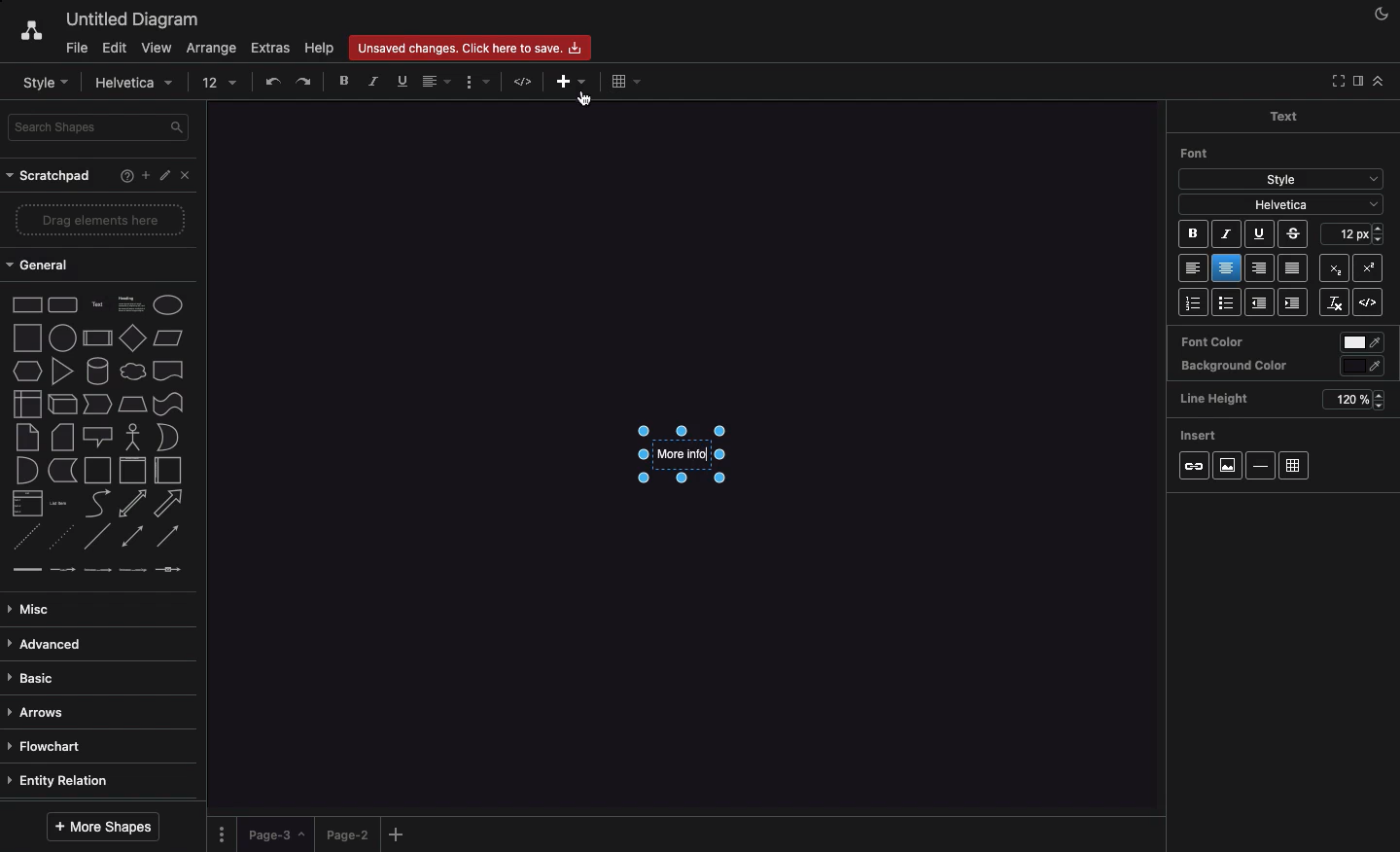  What do you see at coordinates (1211, 340) in the screenshot?
I see `Font color` at bounding box center [1211, 340].